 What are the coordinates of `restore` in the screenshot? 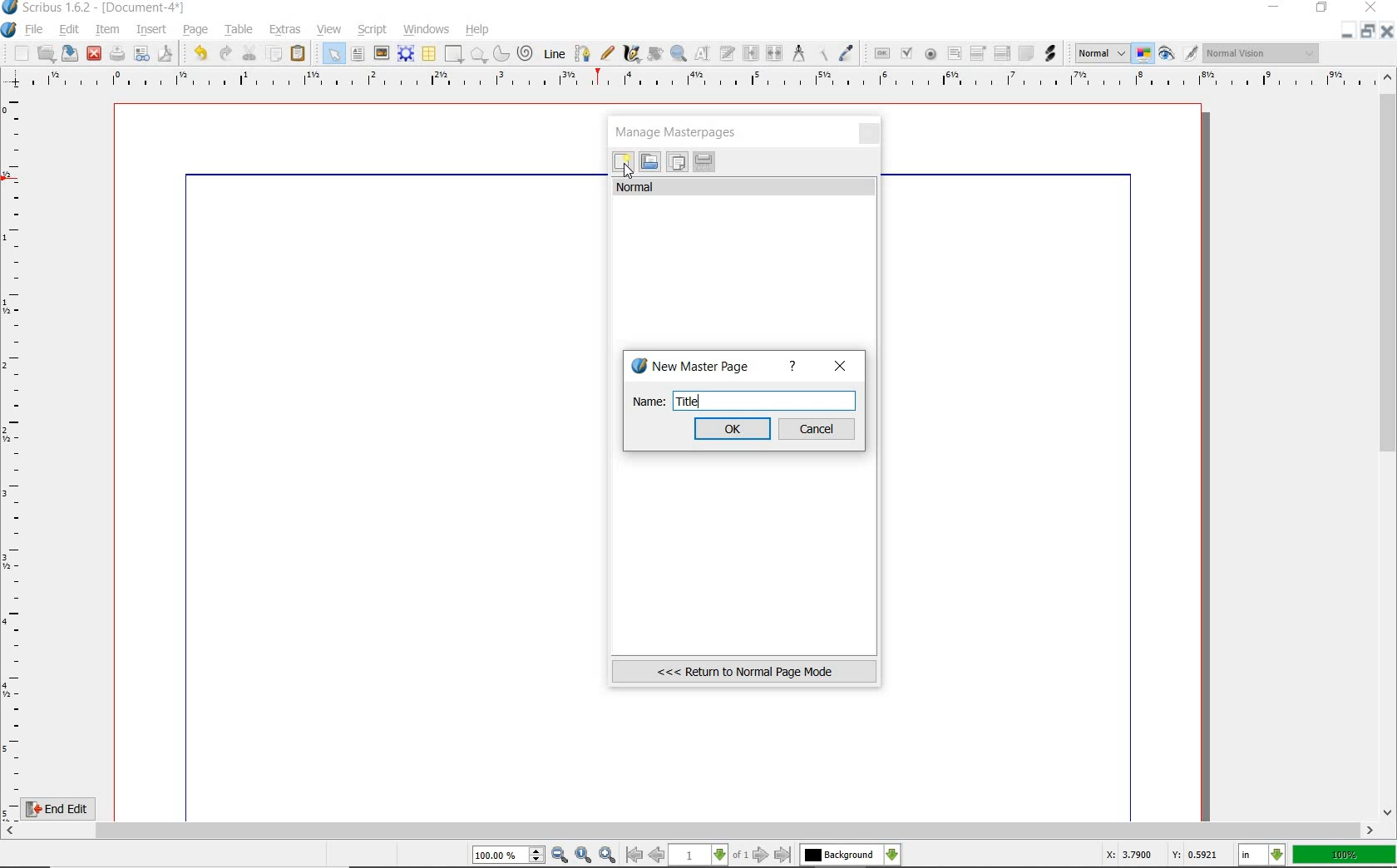 It's located at (1370, 32).